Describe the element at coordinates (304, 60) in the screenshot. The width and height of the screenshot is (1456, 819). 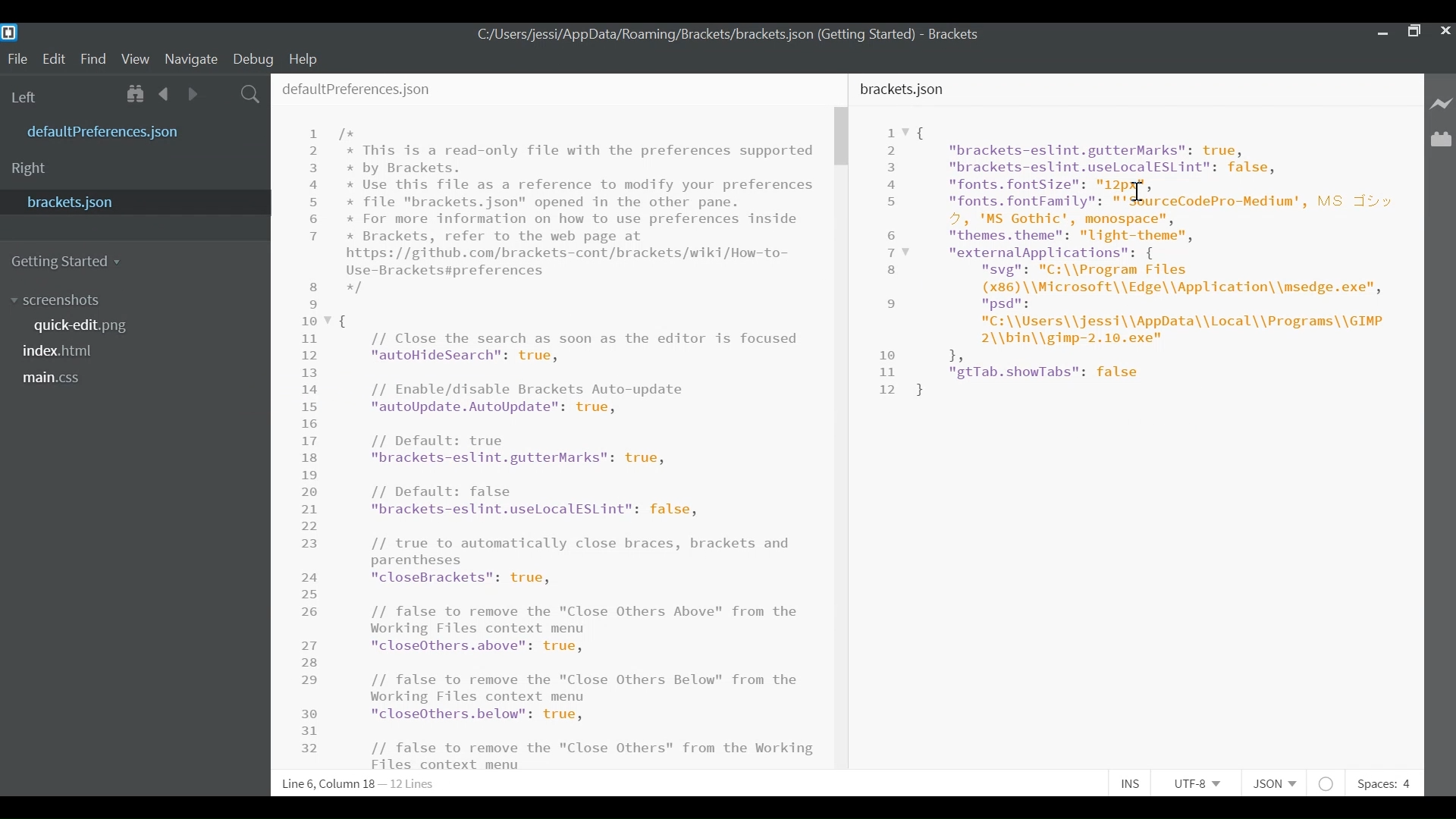
I see `Help` at that location.